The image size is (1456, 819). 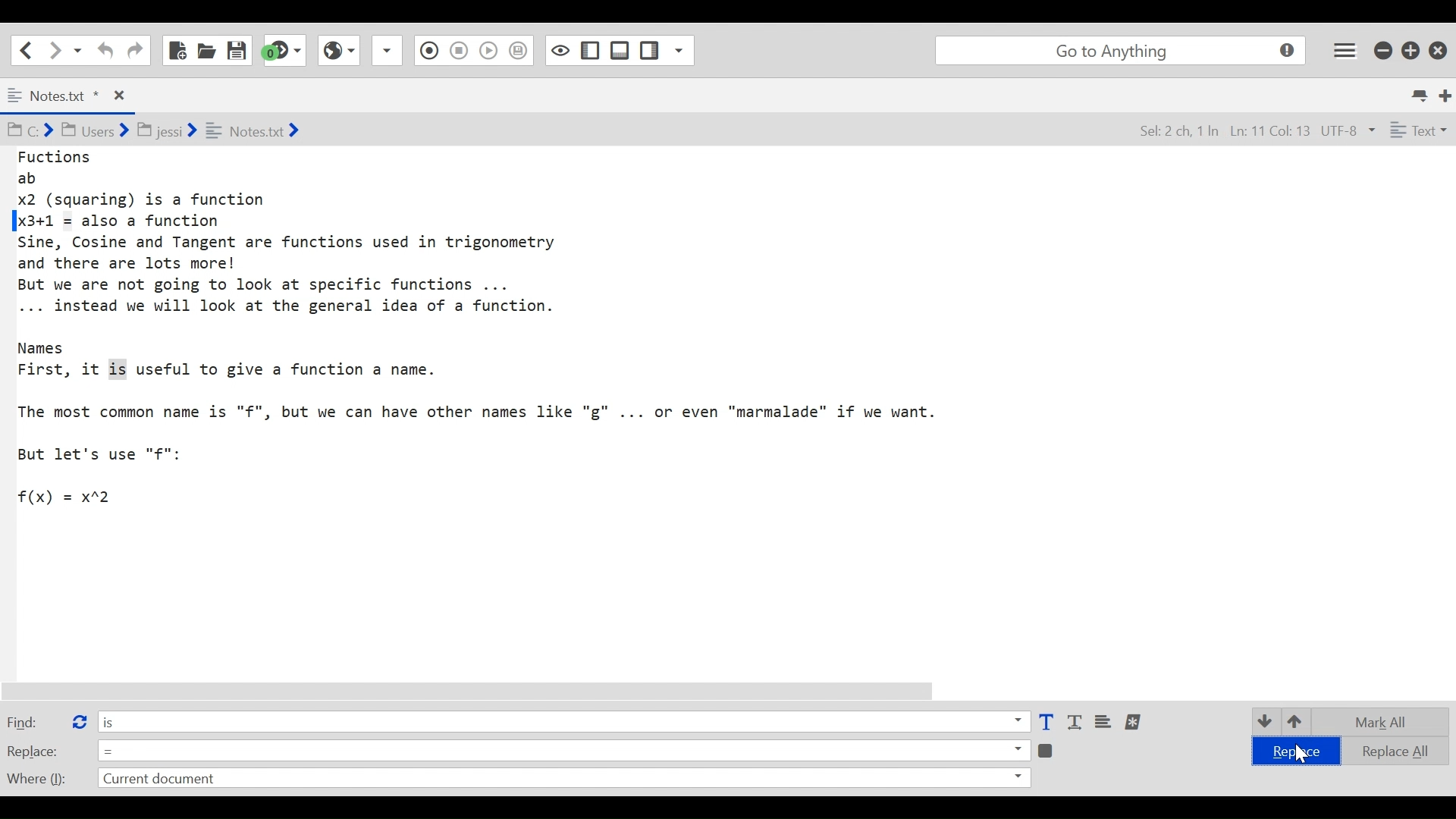 I want to click on Stop Recording Macro, so click(x=427, y=52).